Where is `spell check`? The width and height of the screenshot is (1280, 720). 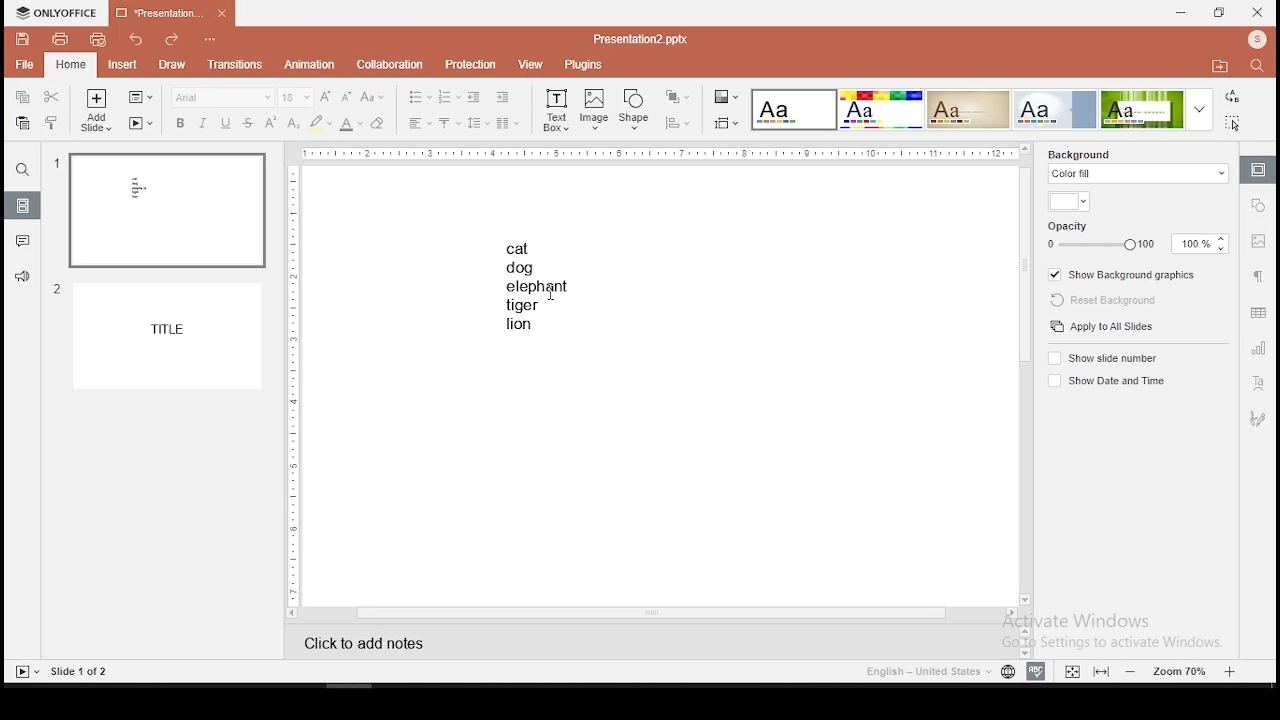 spell check is located at coordinates (1036, 672).